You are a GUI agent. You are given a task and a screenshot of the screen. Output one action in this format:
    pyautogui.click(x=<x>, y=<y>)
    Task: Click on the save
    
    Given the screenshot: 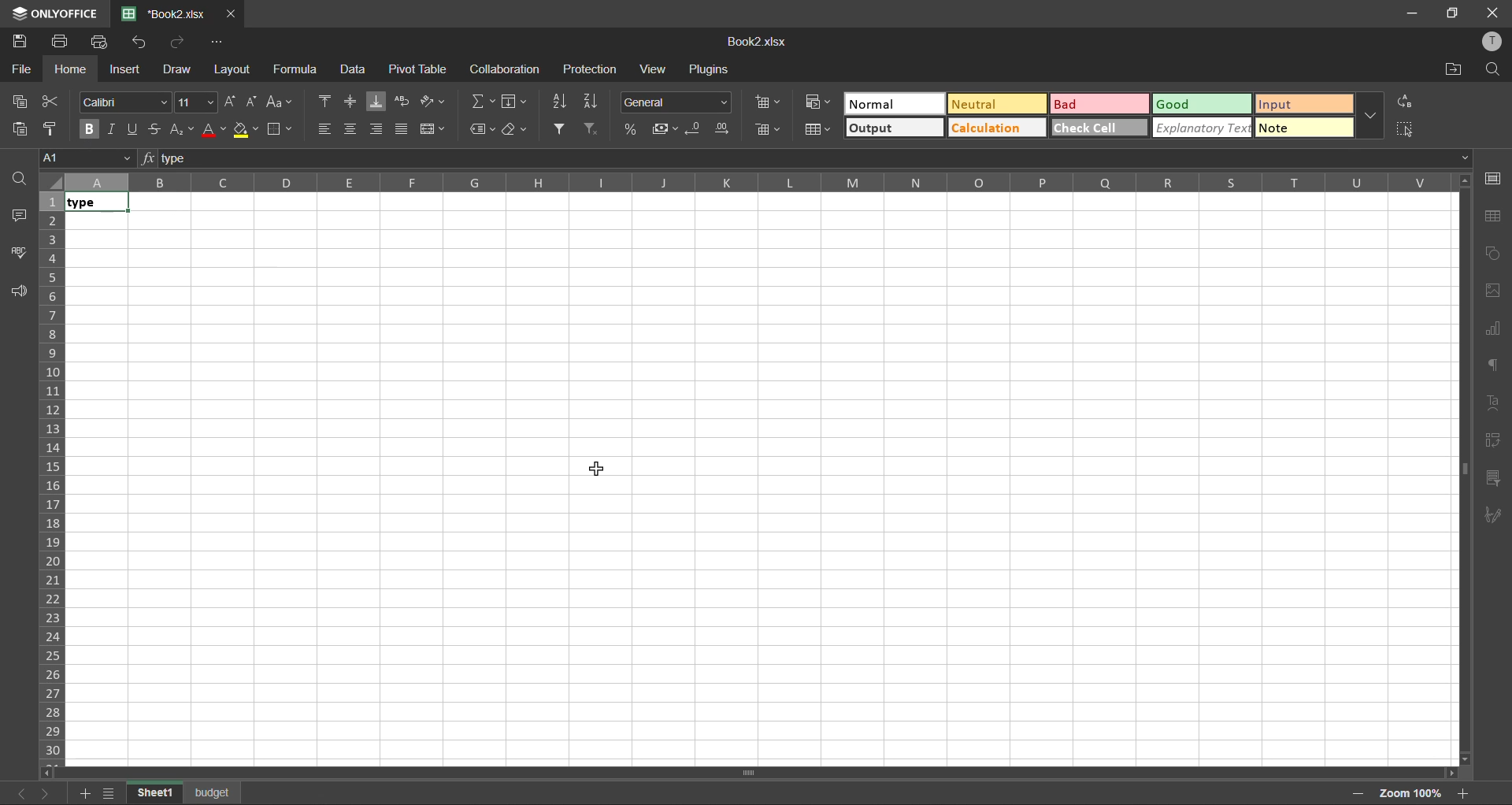 What is the action you would take?
    pyautogui.click(x=22, y=40)
    